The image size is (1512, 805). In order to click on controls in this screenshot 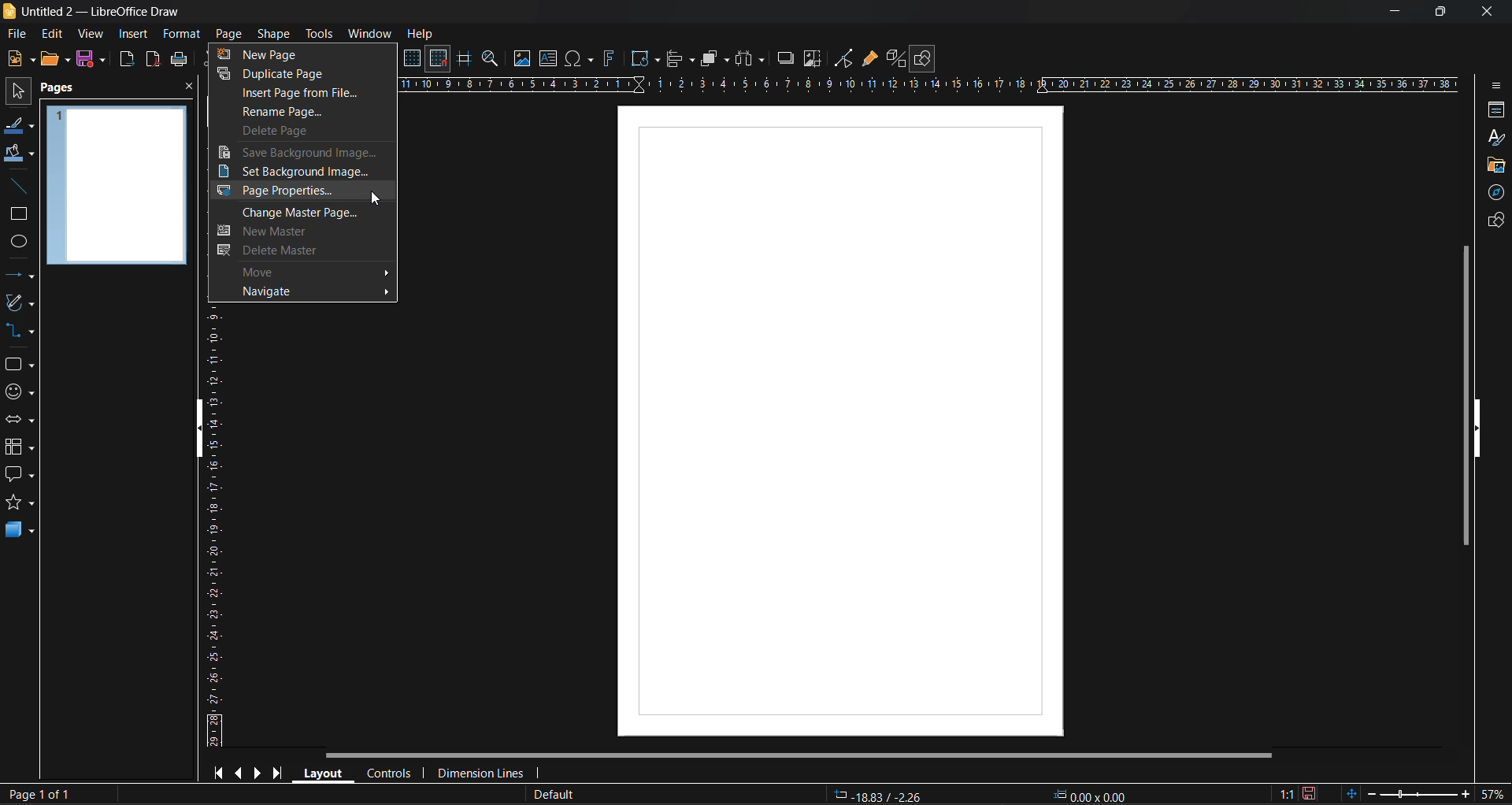, I will do `click(391, 773)`.